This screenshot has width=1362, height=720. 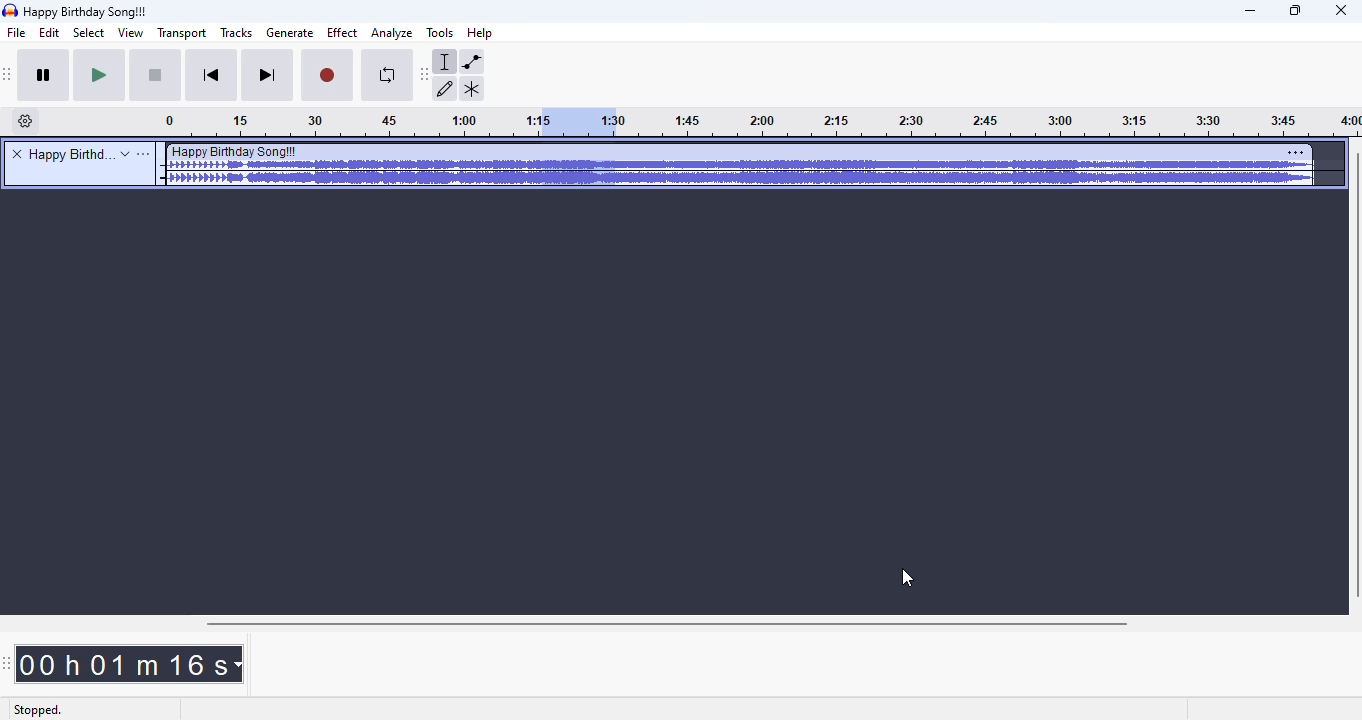 What do you see at coordinates (16, 33) in the screenshot?
I see `file` at bounding box center [16, 33].